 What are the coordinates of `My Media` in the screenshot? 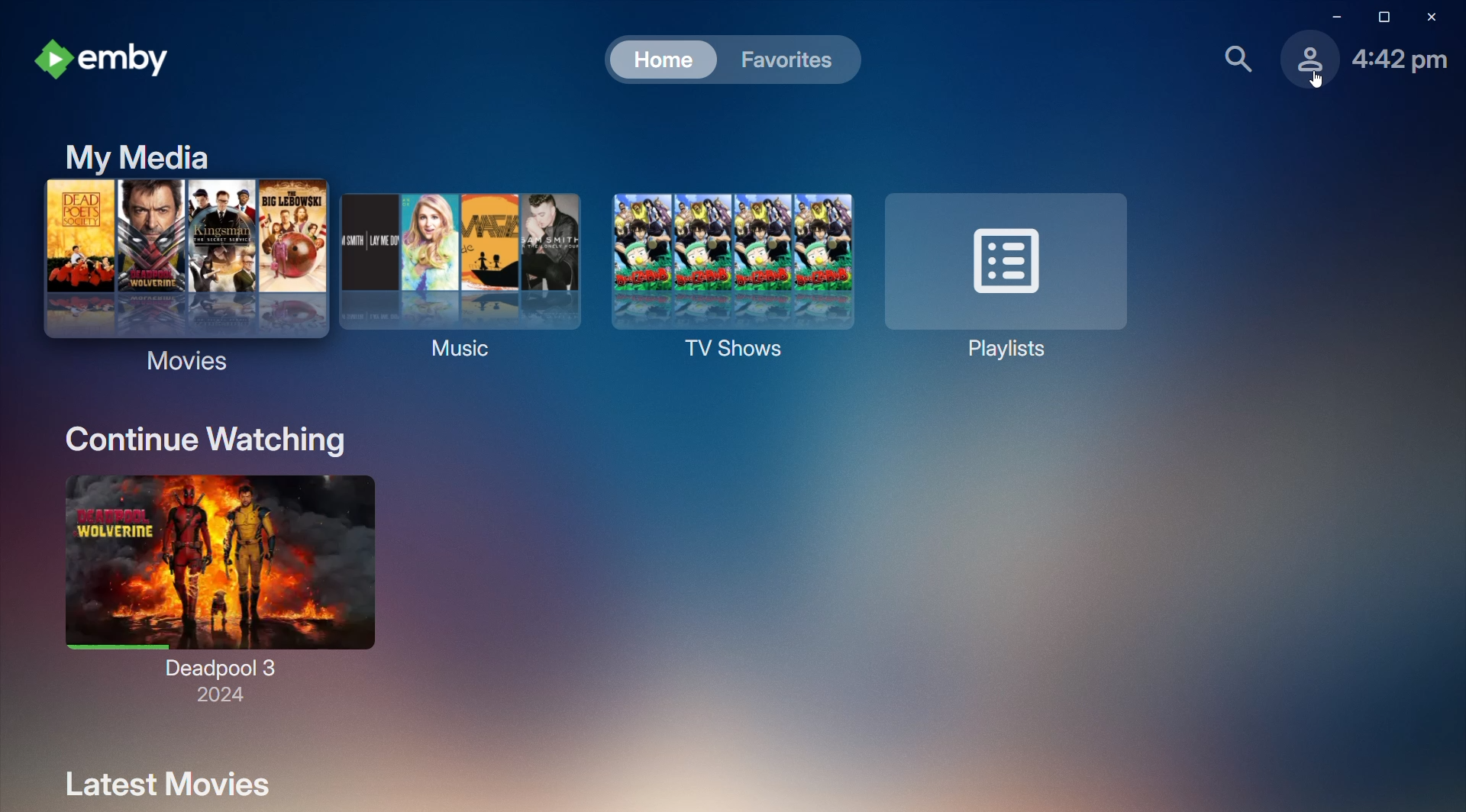 It's located at (133, 159).